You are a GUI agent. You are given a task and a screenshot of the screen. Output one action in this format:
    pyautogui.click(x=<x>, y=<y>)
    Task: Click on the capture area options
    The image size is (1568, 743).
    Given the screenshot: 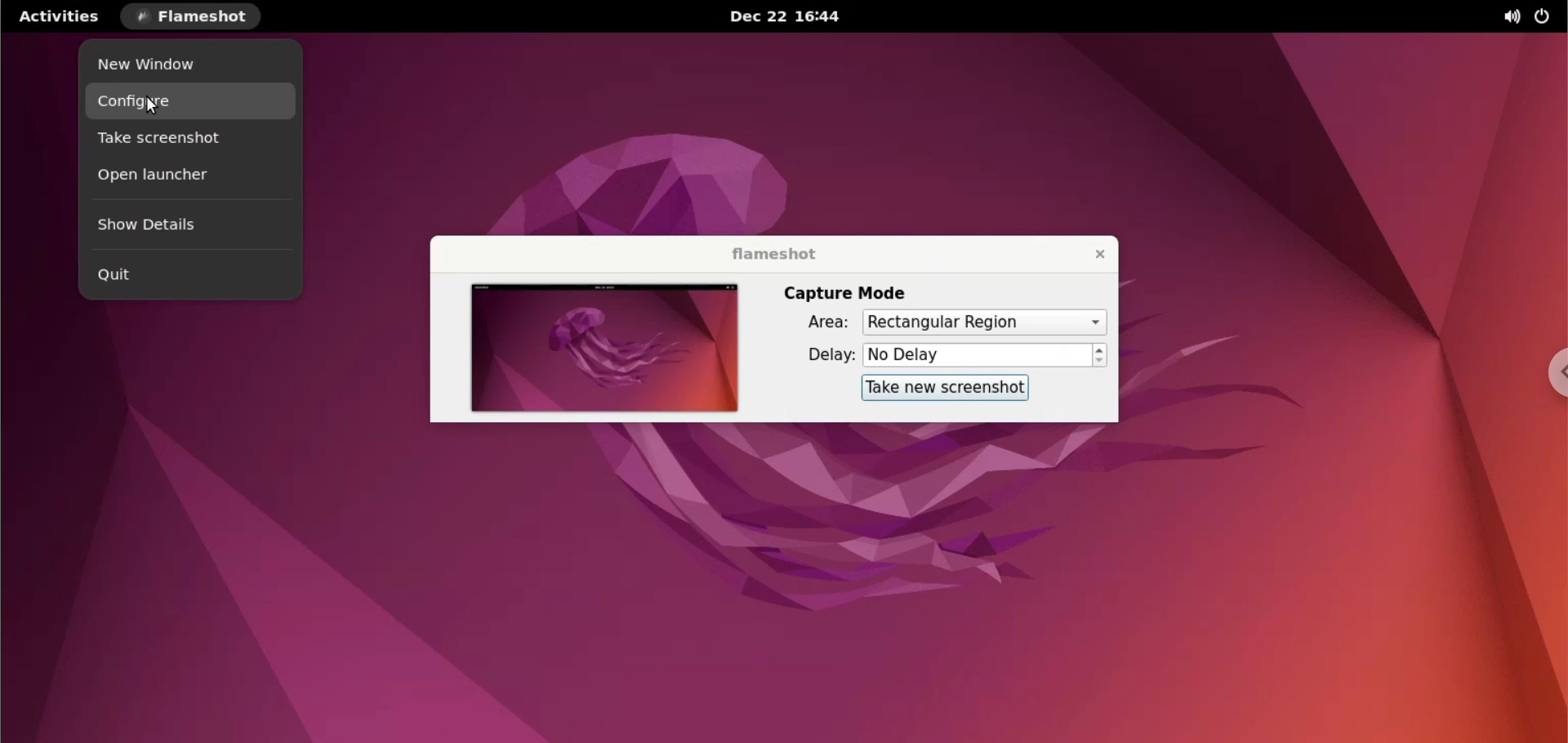 What is the action you would take?
    pyautogui.click(x=982, y=323)
    